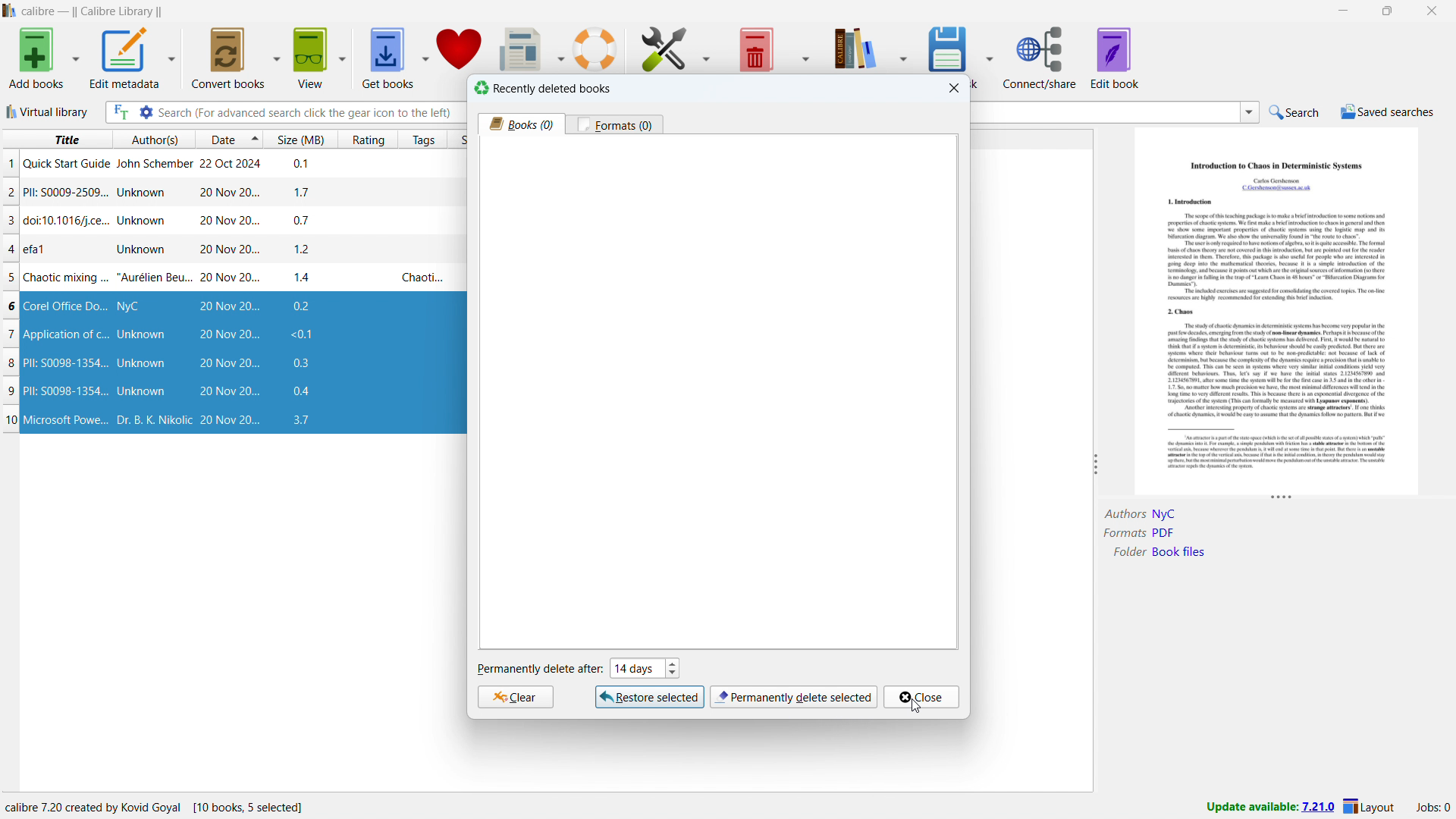  What do you see at coordinates (1387, 111) in the screenshot?
I see `saved searches menu` at bounding box center [1387, 111].